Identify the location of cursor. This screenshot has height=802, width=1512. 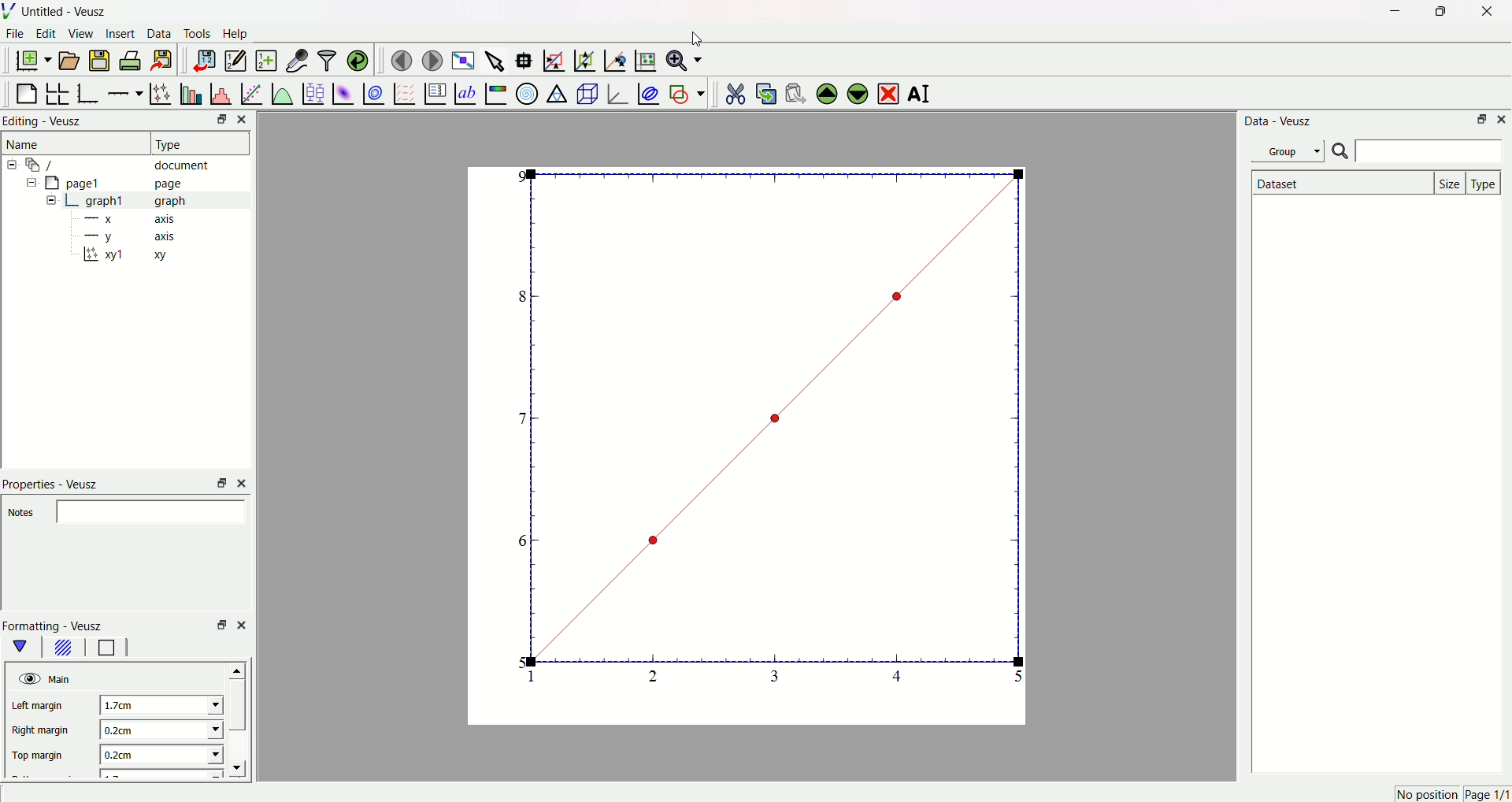
(699, 39).